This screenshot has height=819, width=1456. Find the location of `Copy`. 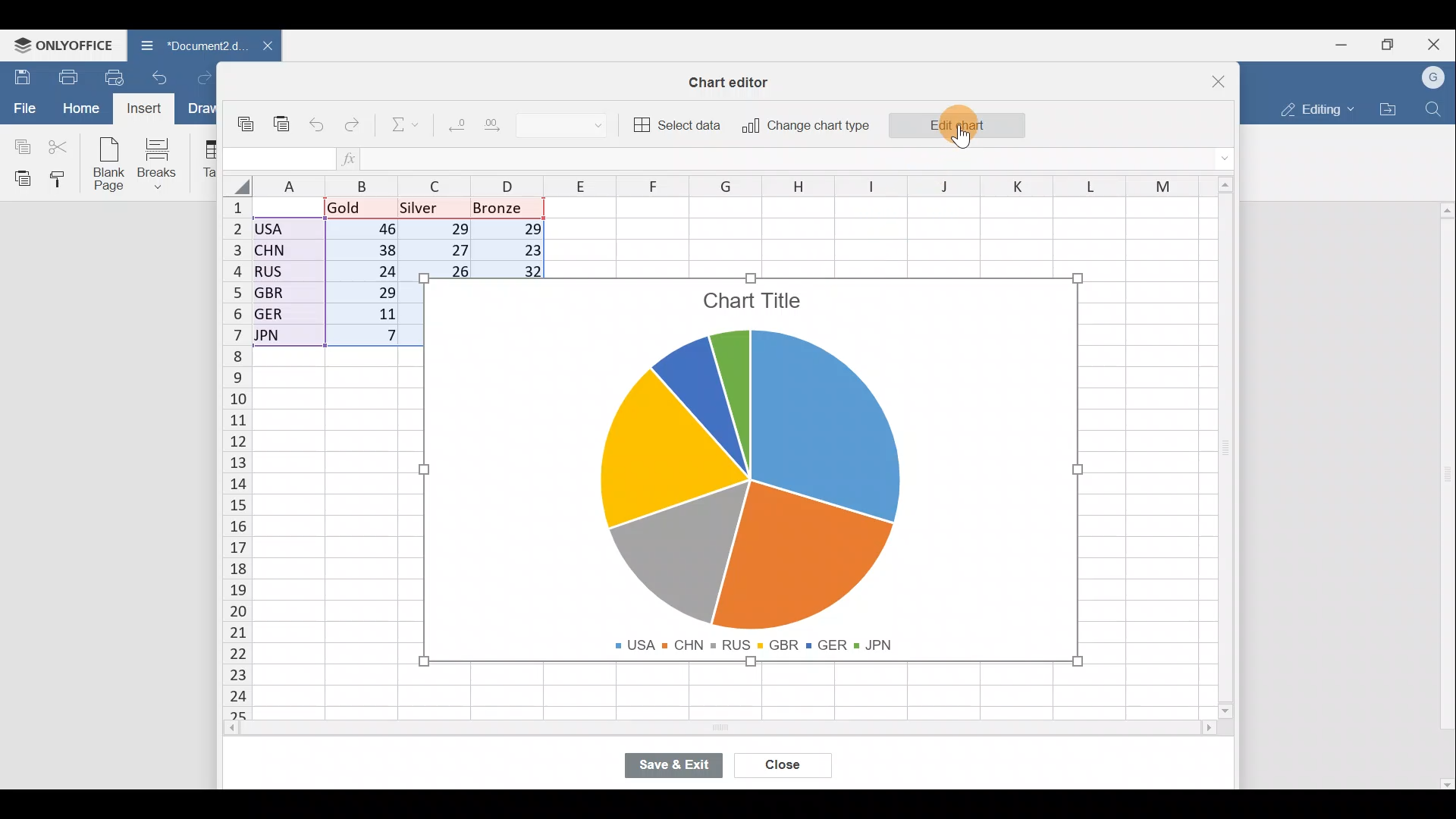

Copy is located at coordinates (249, 126).